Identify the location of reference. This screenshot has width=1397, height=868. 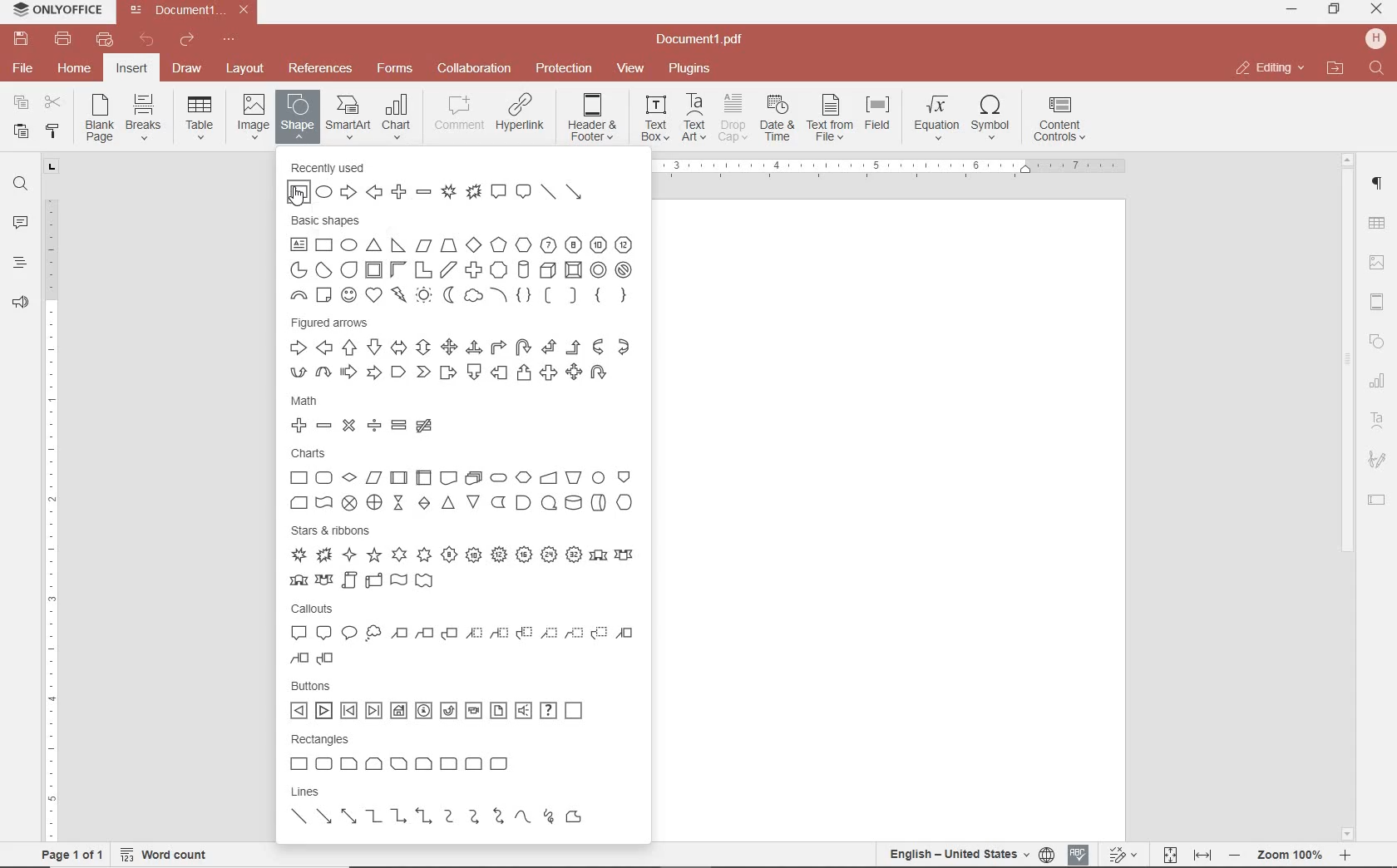
(318, 69).